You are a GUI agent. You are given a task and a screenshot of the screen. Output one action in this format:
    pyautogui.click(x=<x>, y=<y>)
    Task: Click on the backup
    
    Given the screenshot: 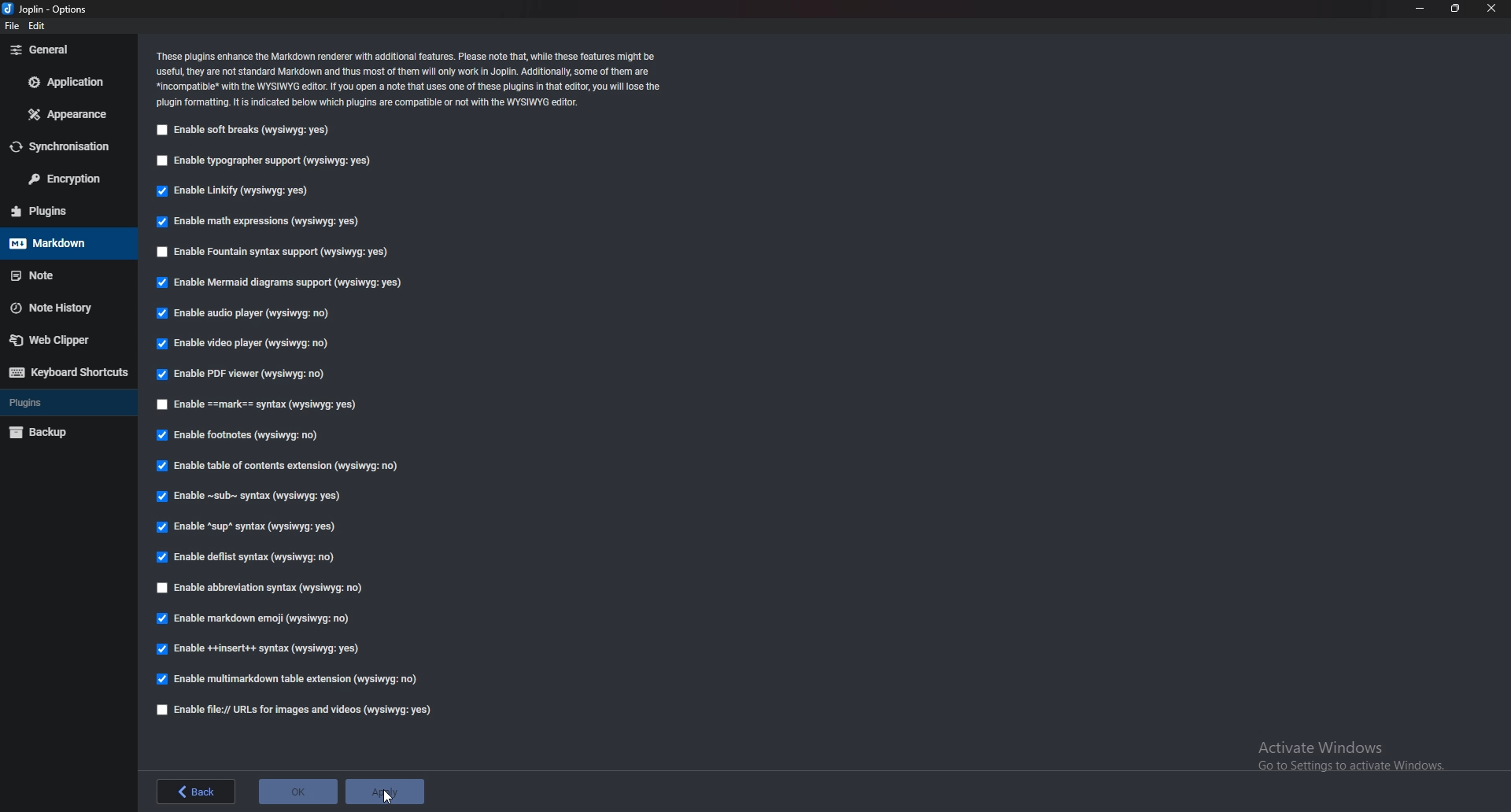 What is the action you would take?
    pyautogui.click(x=59, y=433)
    